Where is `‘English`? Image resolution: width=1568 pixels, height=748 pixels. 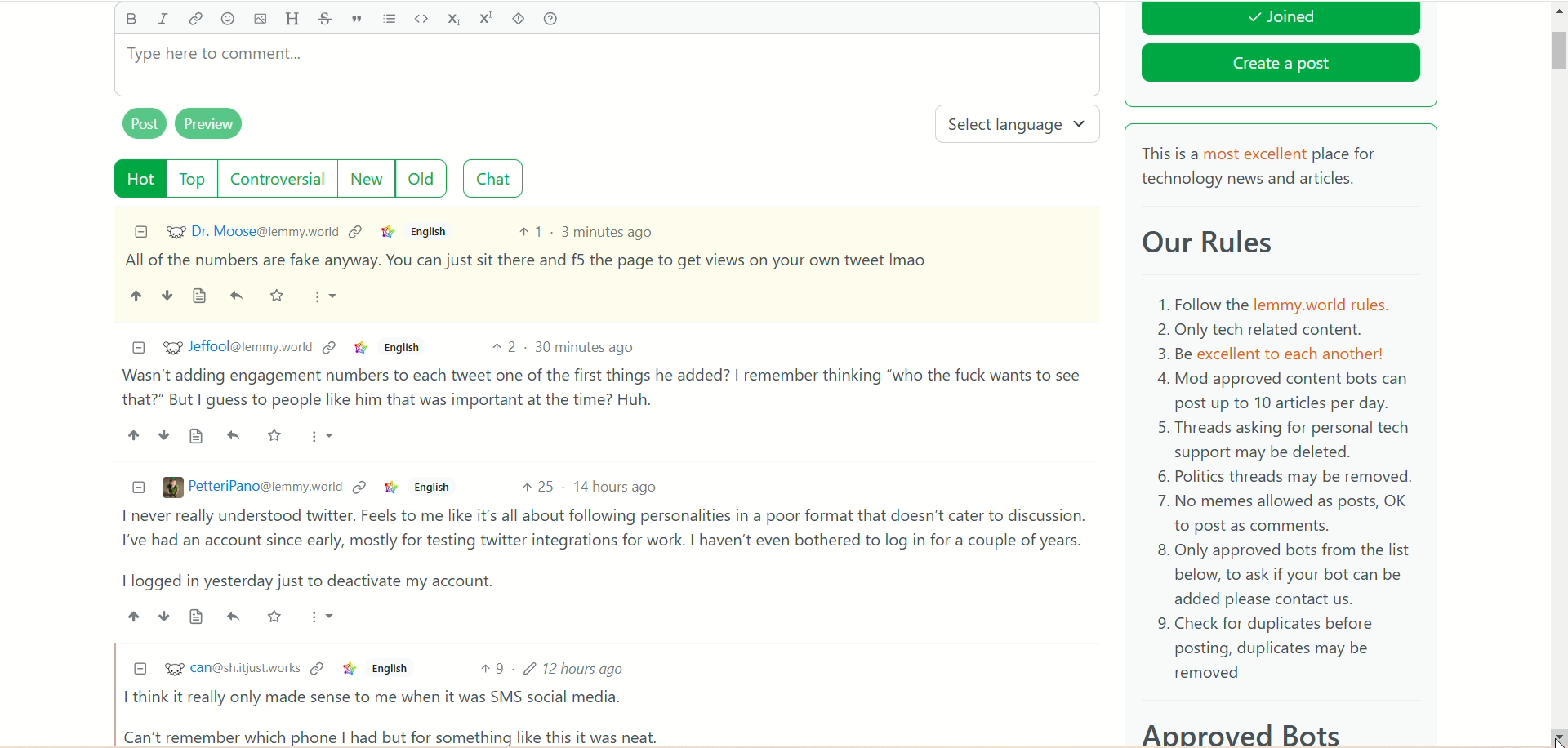 ‘English is located at coordinates (387, 669).